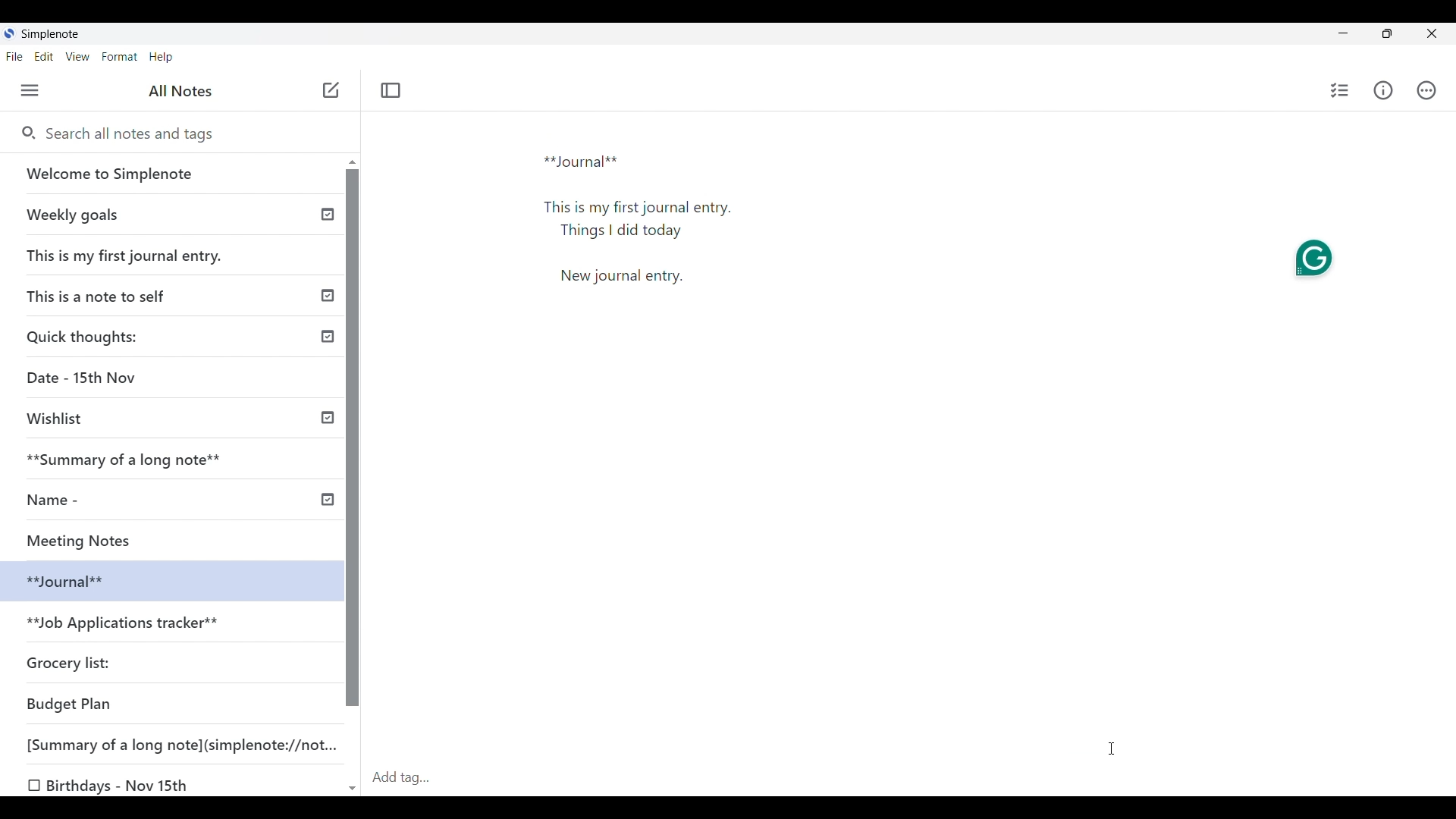 The image size is (1456, 819). I want to click on Info, so click(1382, 89).